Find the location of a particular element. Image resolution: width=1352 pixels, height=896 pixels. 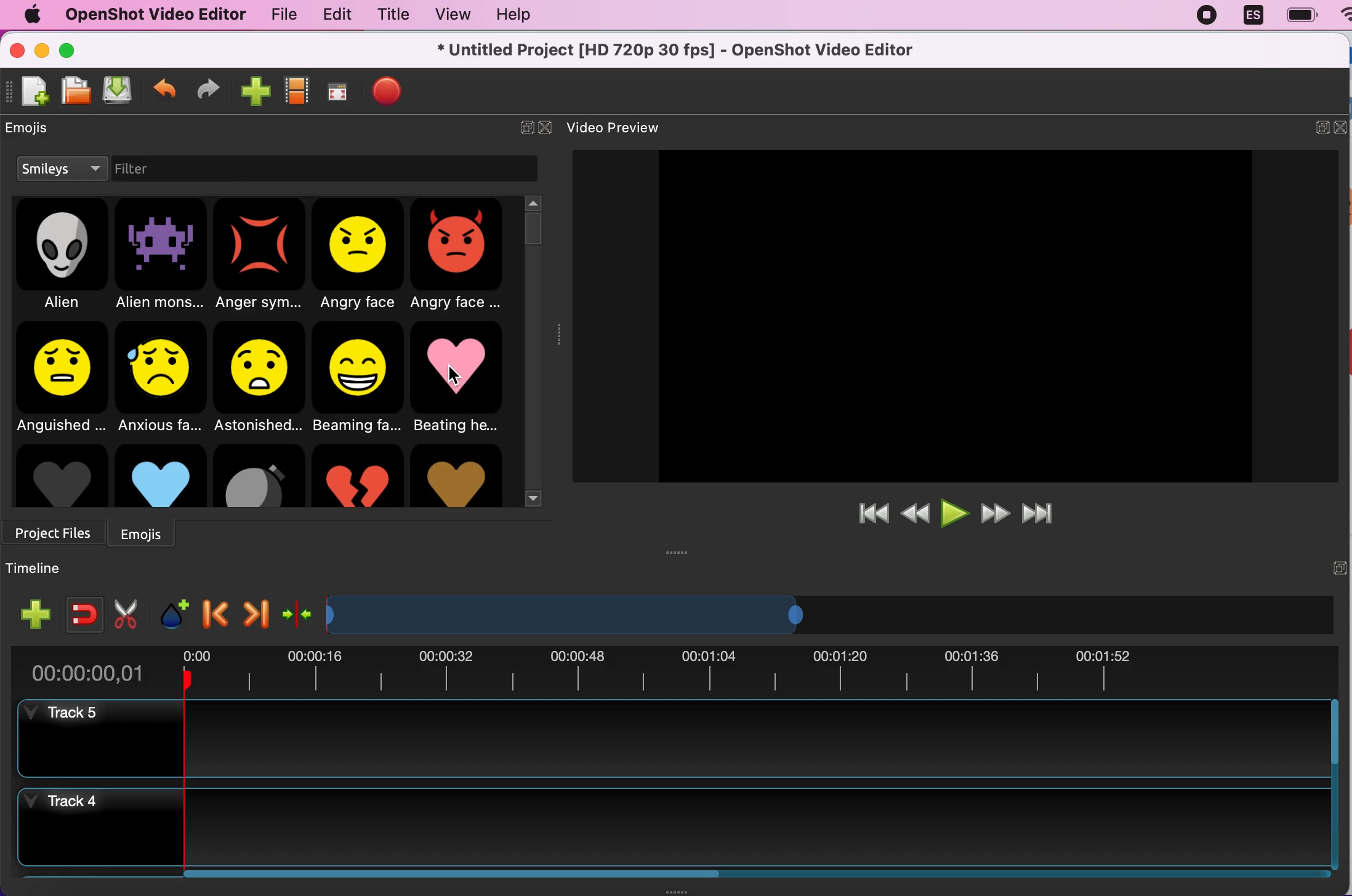

file is located at coordinates (278, 15).